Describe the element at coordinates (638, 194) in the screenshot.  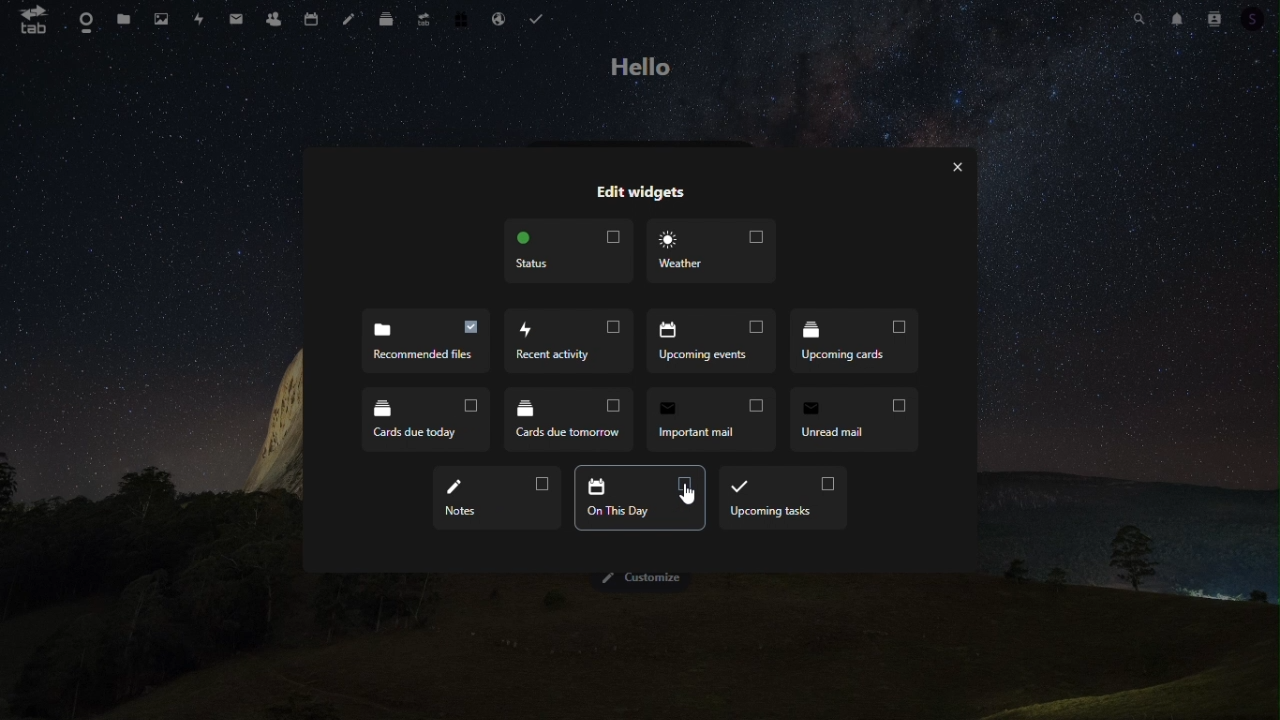
I see `edit widgets` at that location.